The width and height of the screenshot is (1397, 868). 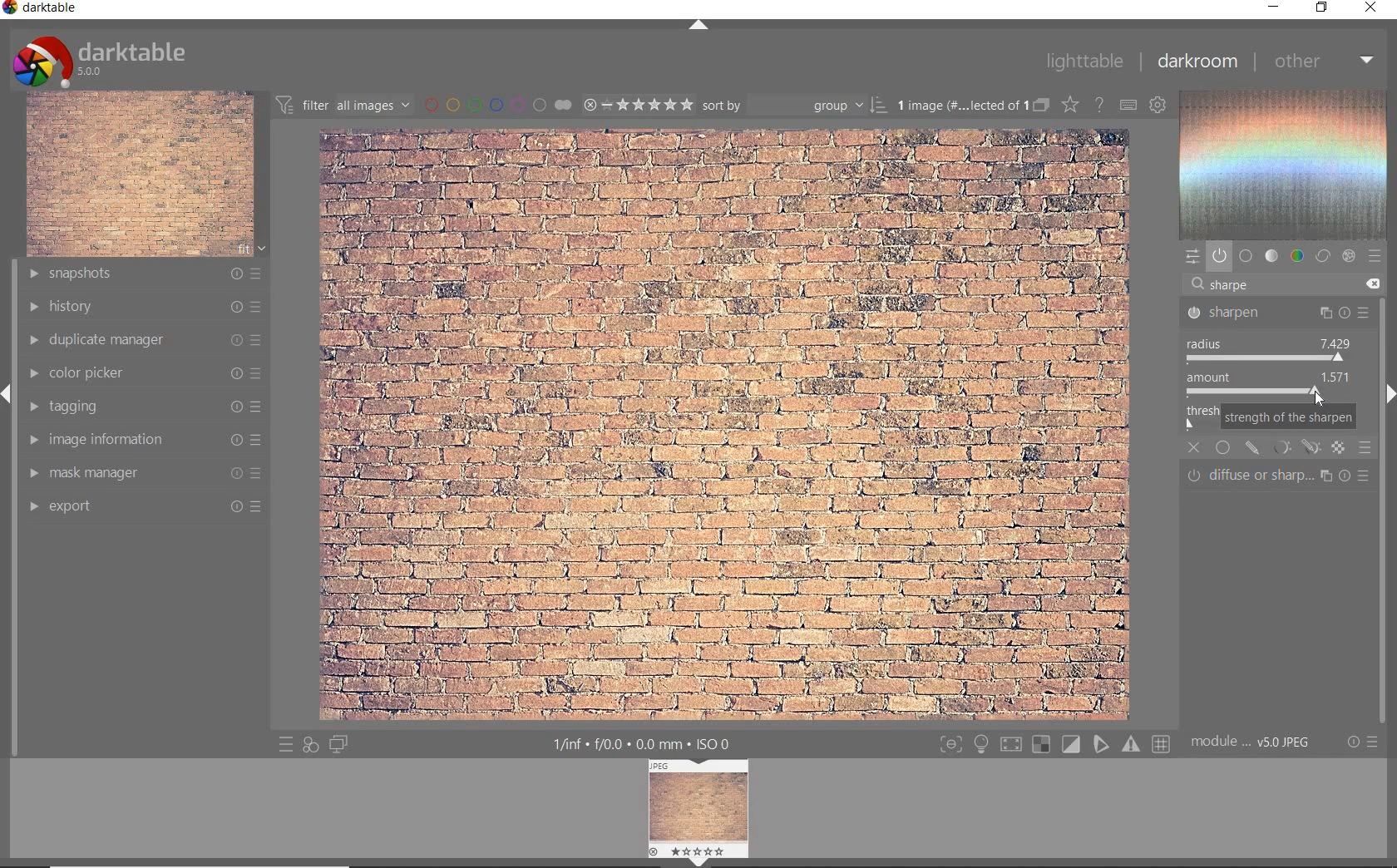 I want to click on CLOSE, so click(x=1195, y=448).